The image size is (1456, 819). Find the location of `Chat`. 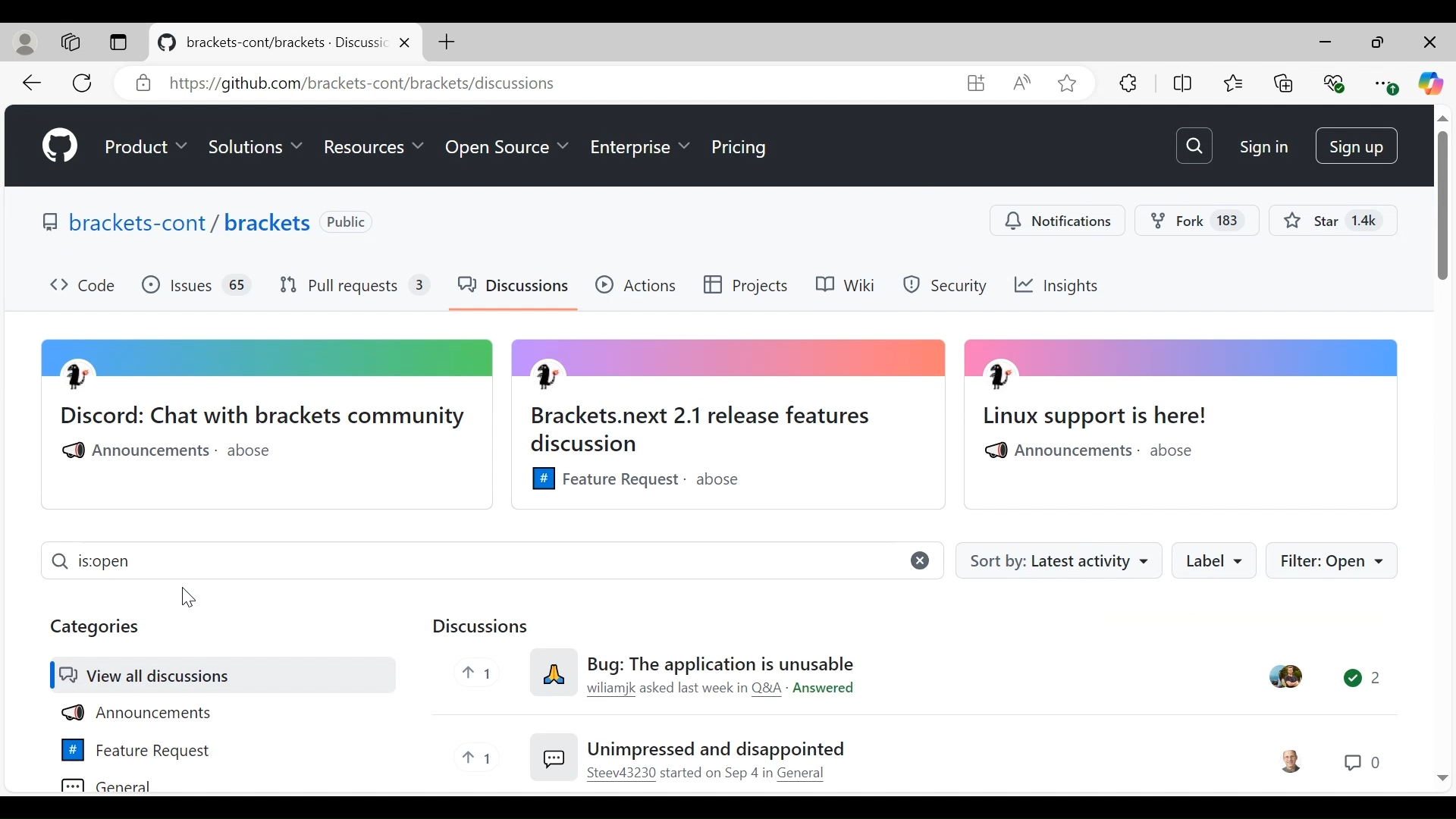

Chat is located at coordinates (1361, 761).